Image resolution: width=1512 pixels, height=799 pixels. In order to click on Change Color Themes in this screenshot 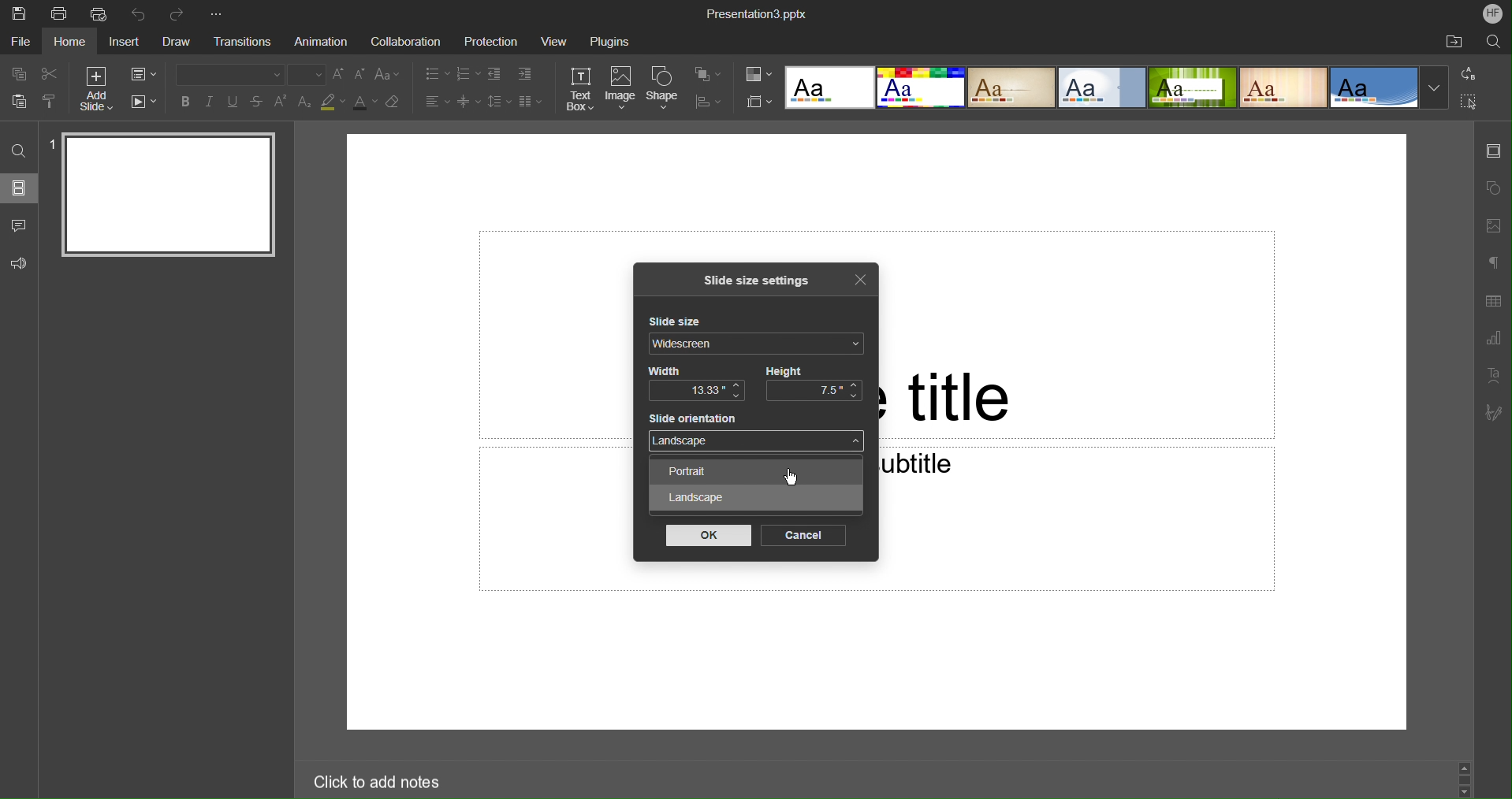, I will do `click(758, 75)`.